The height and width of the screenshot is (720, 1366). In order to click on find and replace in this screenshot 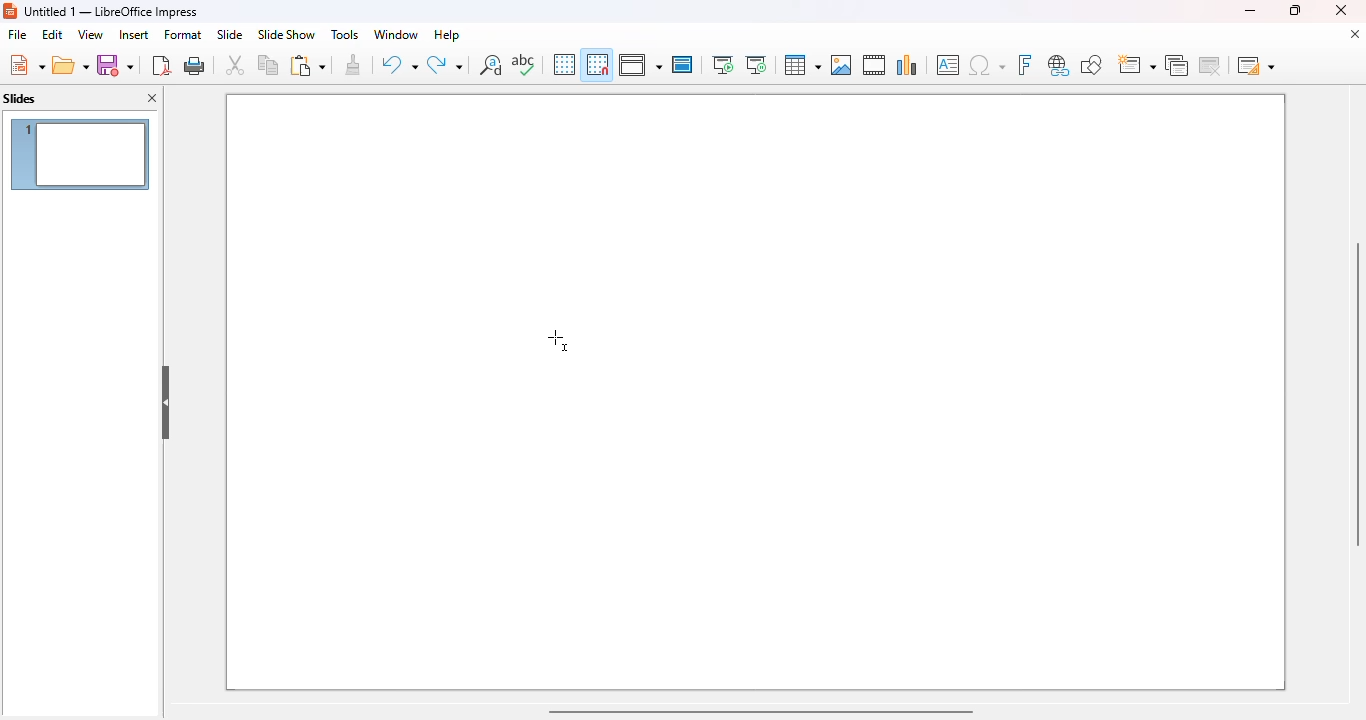, I will do `click(491, 64)`.